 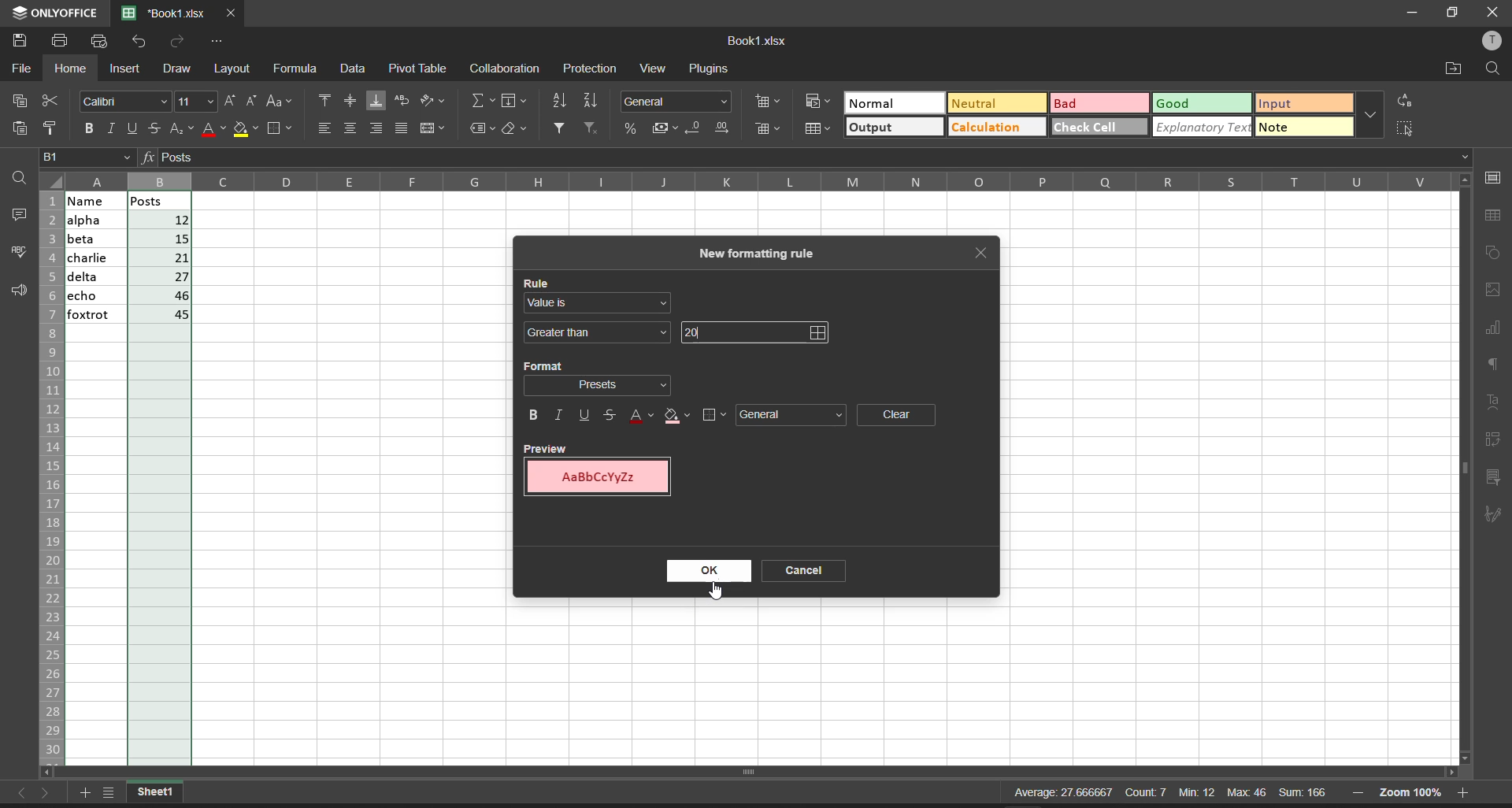 What do you see at coordinates (980, 252) in the screenshot?
I see `close tab` at bounding box center [980, 252].